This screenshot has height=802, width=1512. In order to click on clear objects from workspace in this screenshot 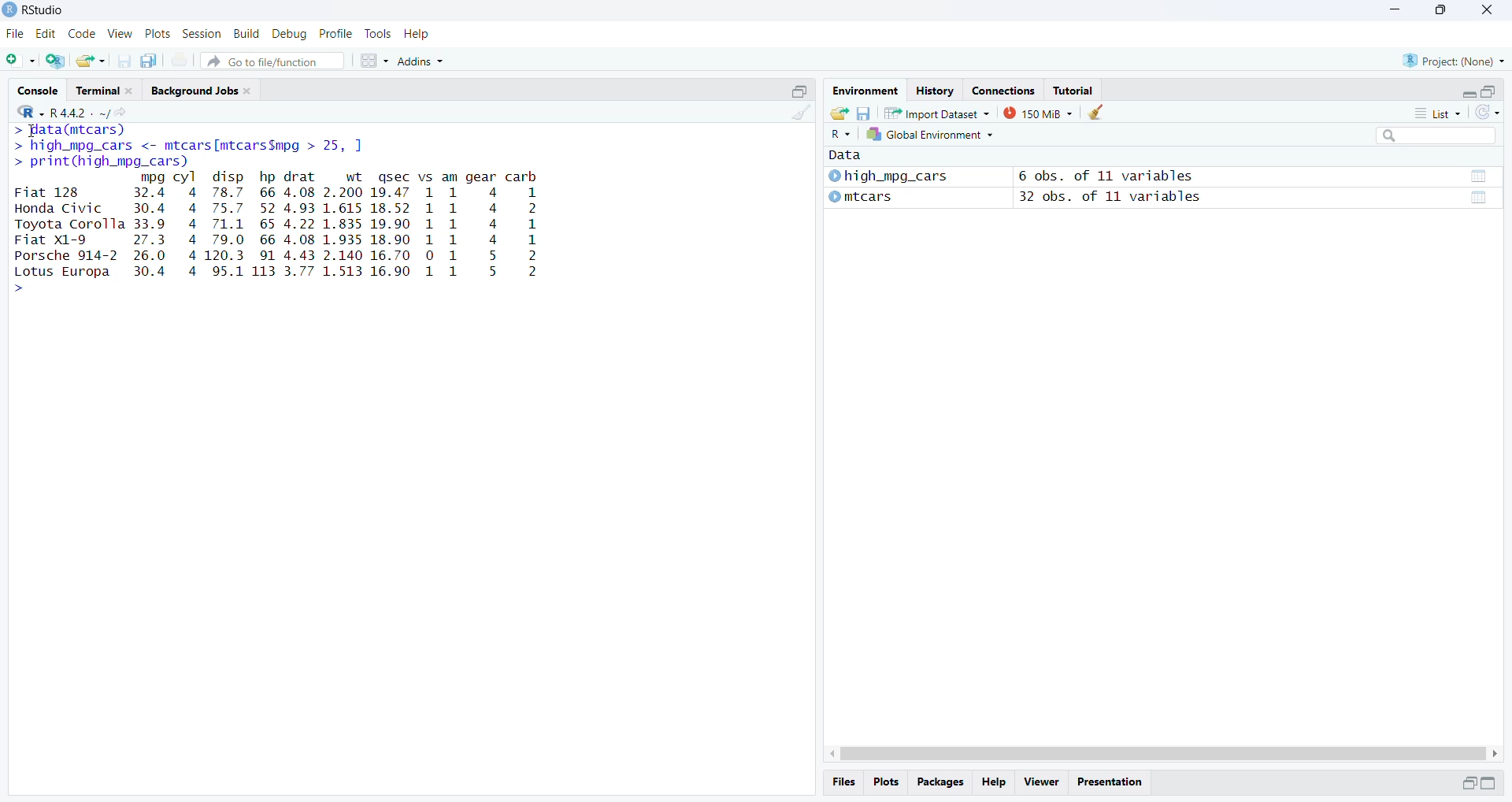, I will do `click(1095, 112)`.